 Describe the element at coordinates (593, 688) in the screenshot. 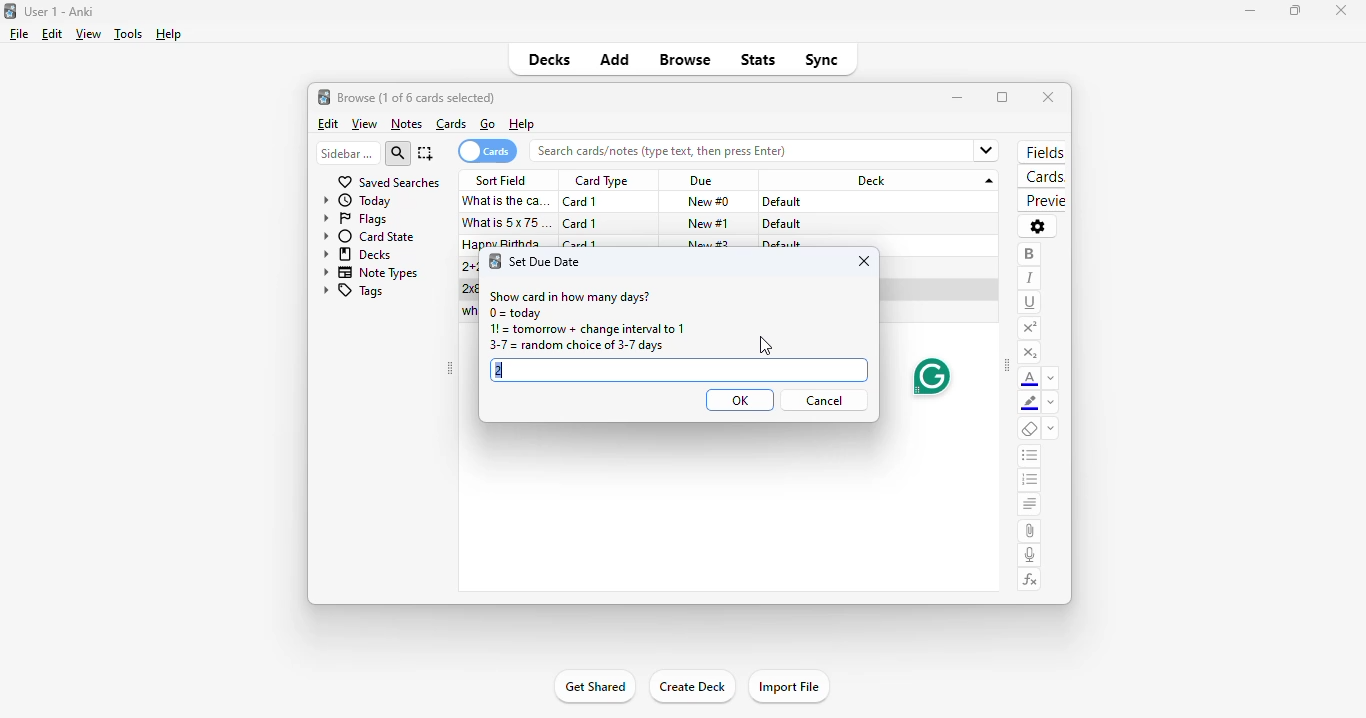

I see `get shared` at that location.